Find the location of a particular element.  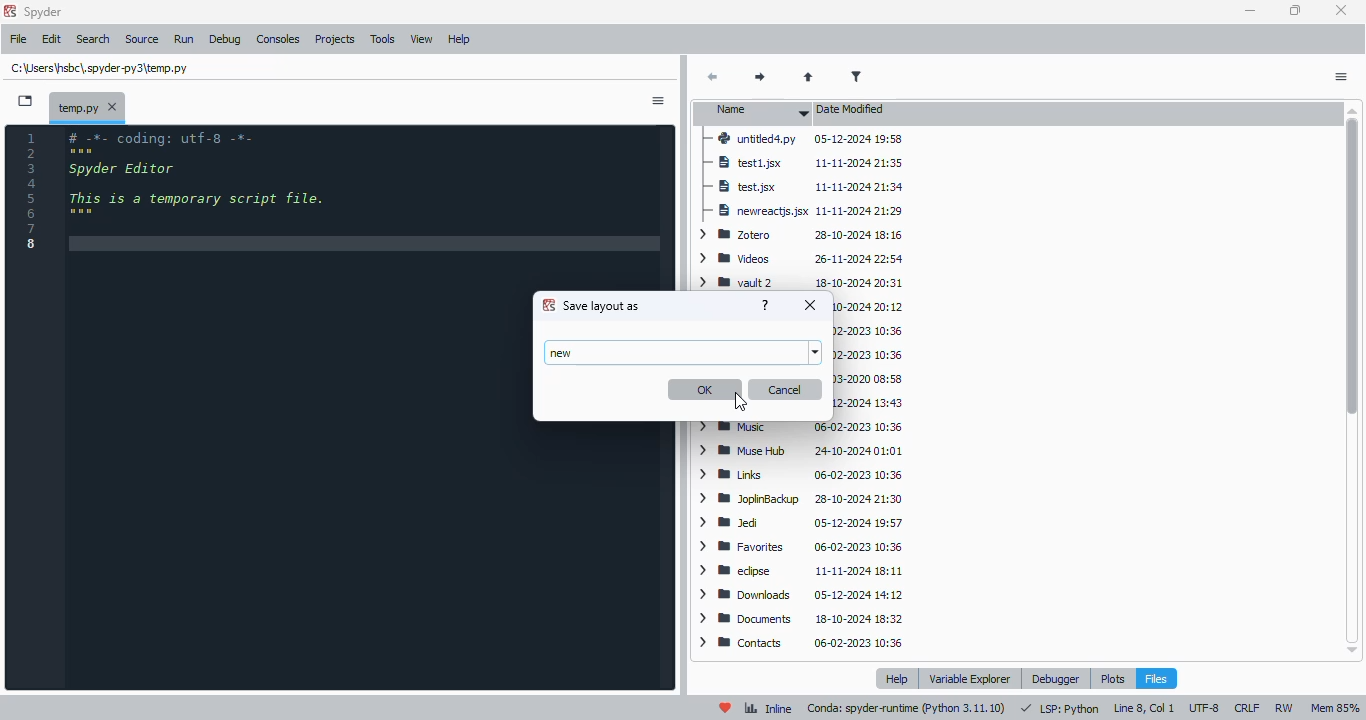

filter filenames is located at coordinates (858, 77).